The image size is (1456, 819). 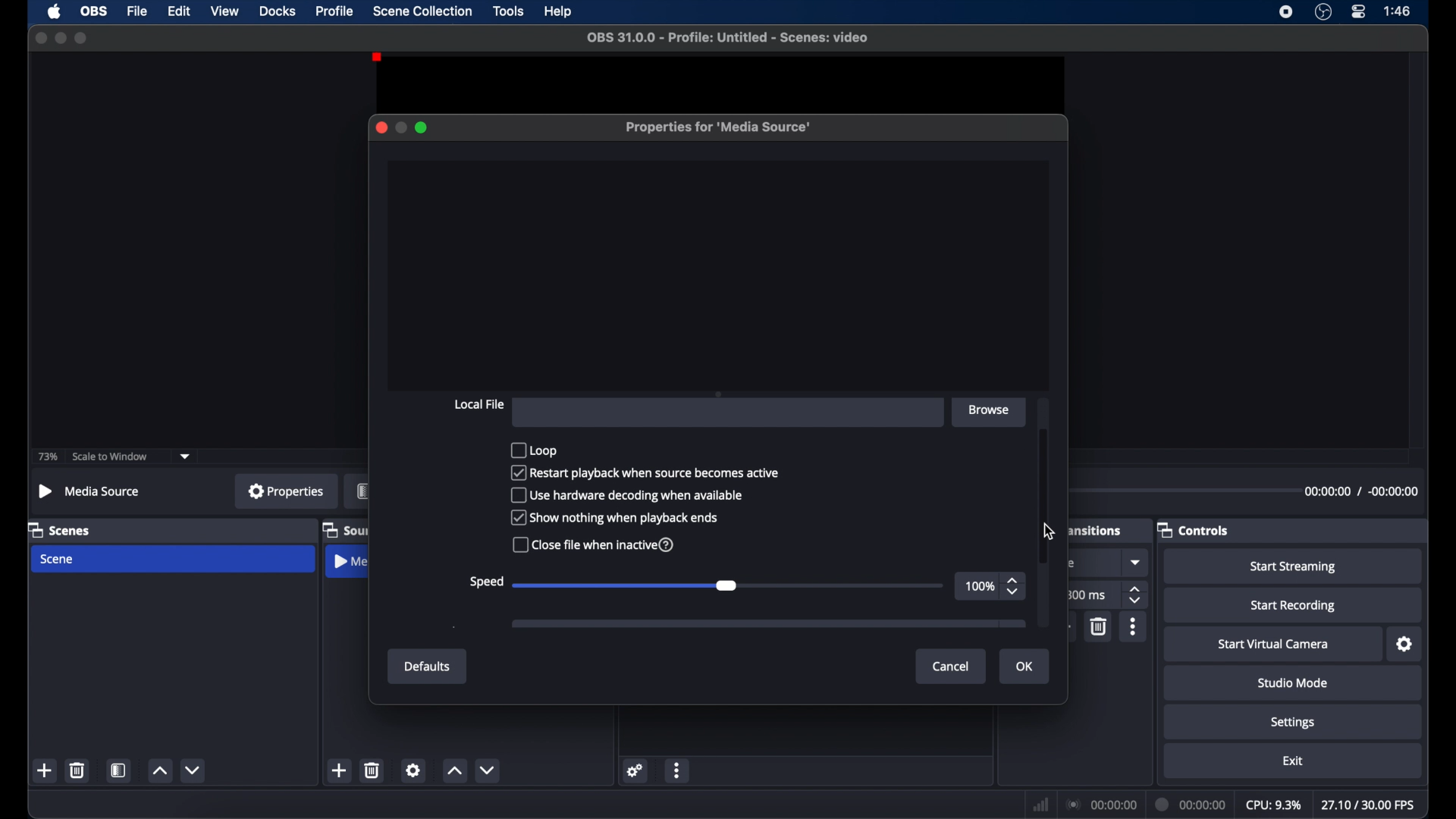 I want to click on maximize, so click(x=422, y=127).